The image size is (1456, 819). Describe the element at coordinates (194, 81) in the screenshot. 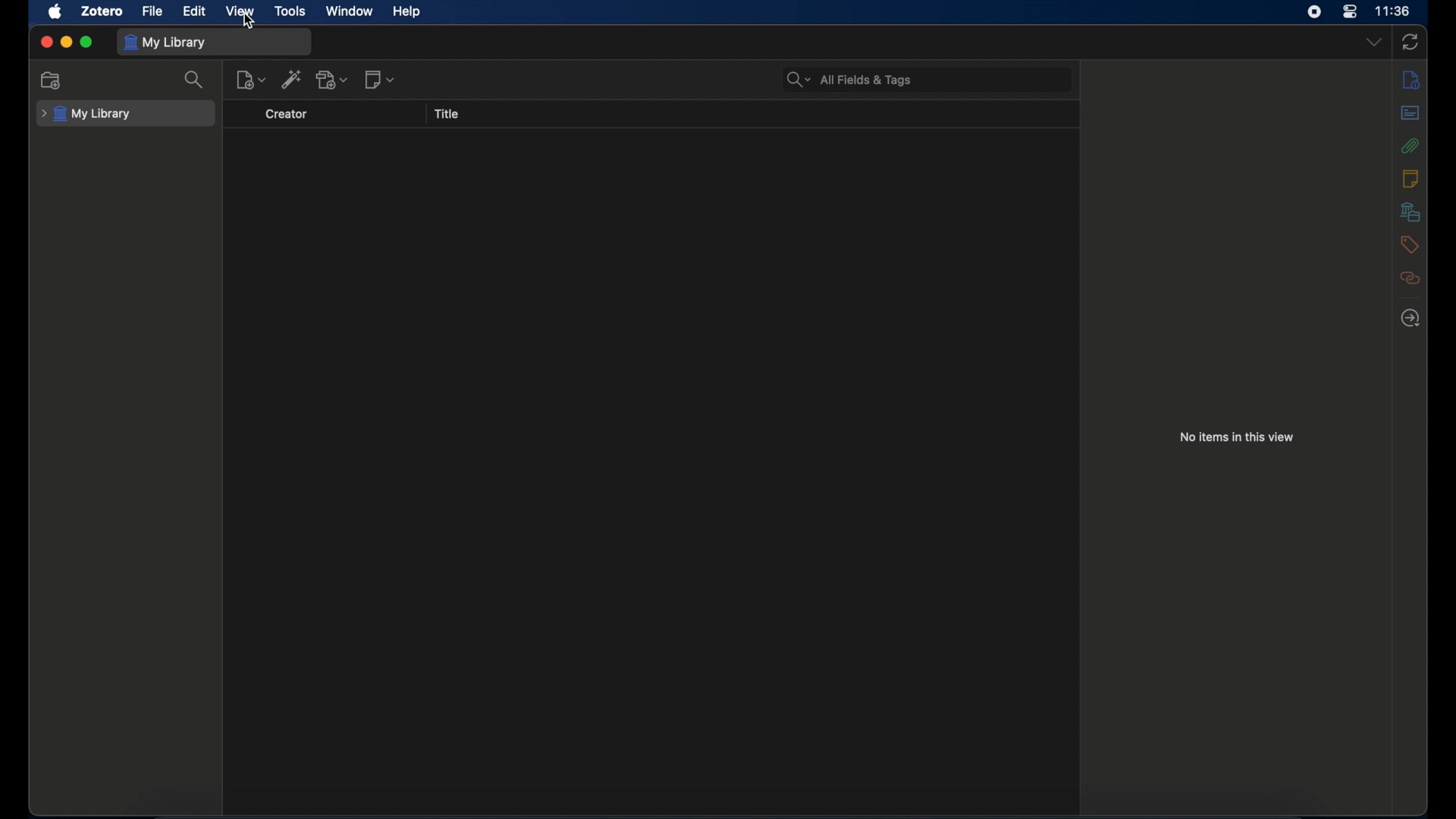

I see `search` at that location.